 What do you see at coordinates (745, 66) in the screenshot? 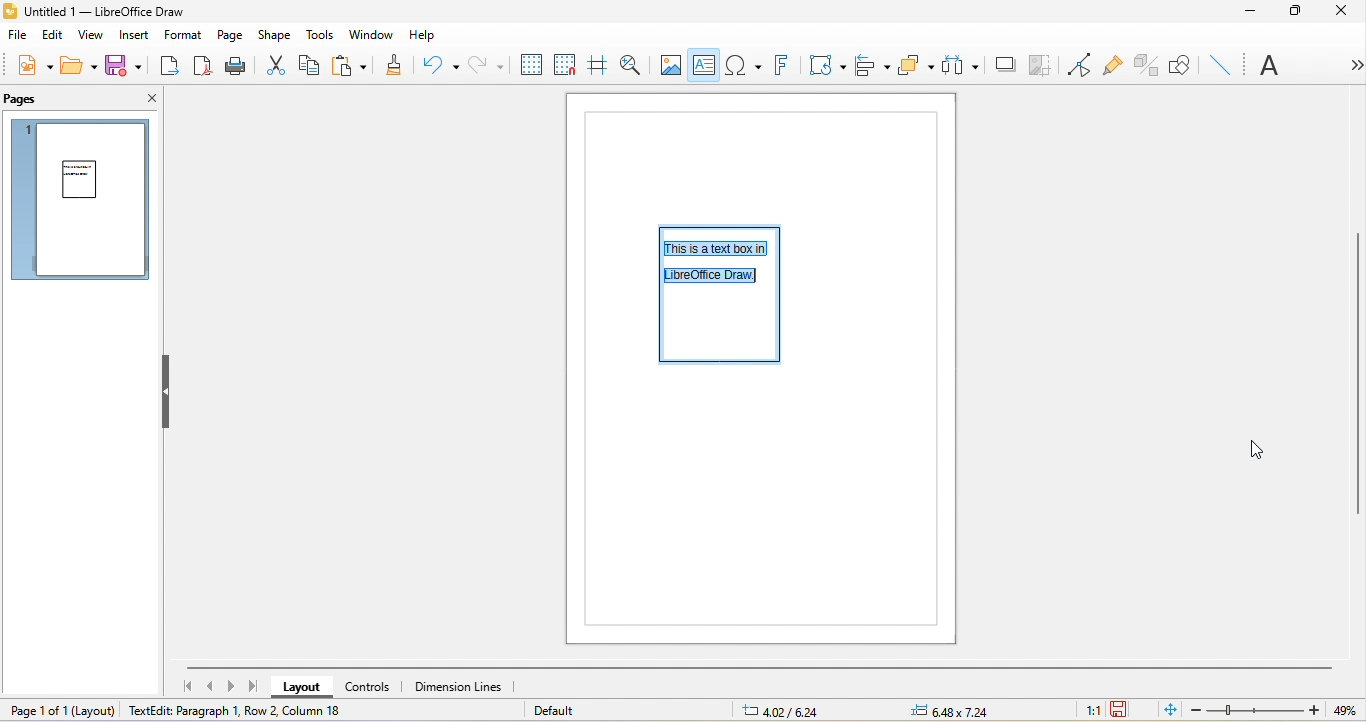
I see `special character` at bounding box center [745, 66].